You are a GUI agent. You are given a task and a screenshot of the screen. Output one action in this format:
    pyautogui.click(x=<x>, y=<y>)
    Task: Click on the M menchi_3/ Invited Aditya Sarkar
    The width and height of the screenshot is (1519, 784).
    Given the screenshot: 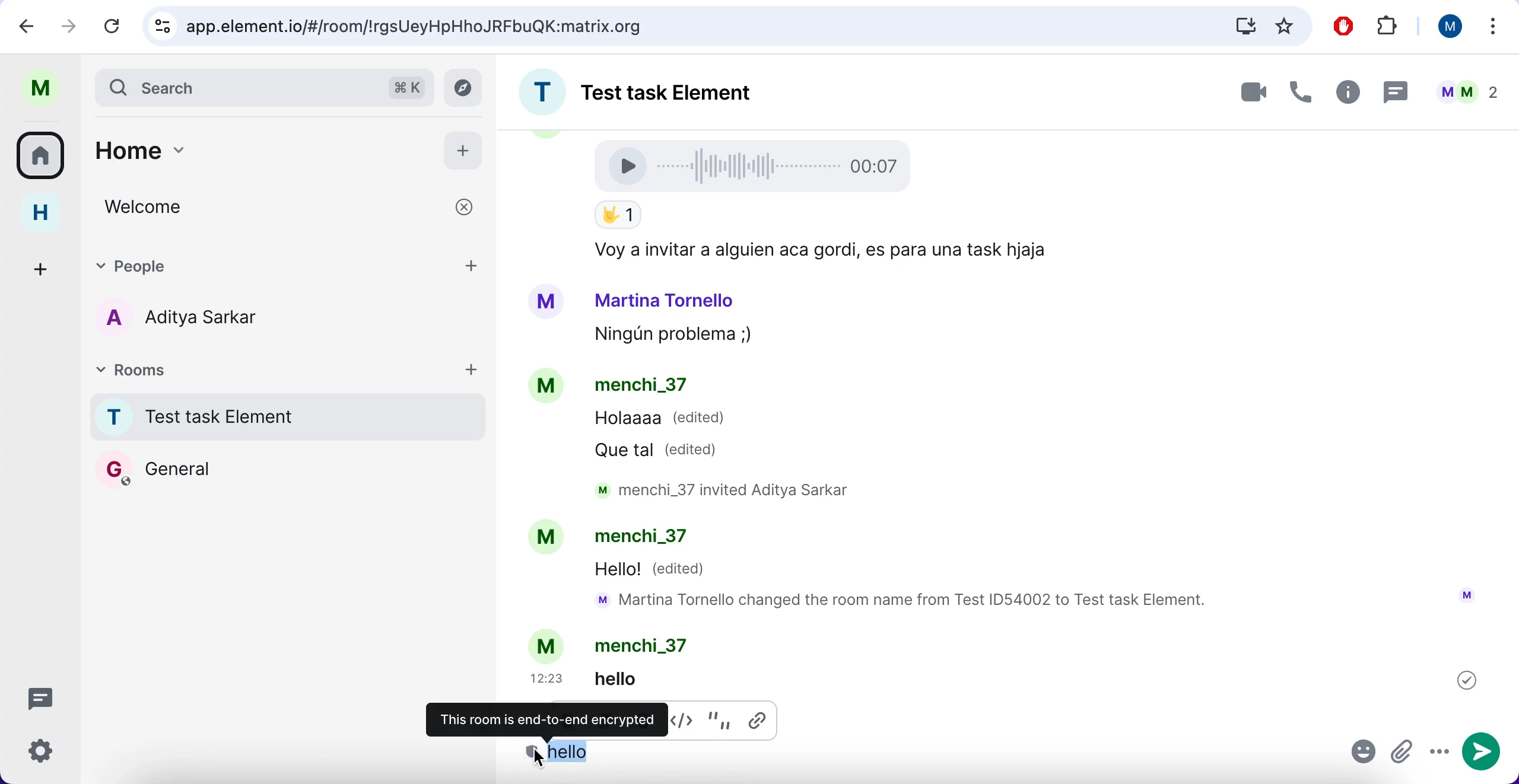 What is the action you would take?
    pyautogui.click(x=733, y=490)
    